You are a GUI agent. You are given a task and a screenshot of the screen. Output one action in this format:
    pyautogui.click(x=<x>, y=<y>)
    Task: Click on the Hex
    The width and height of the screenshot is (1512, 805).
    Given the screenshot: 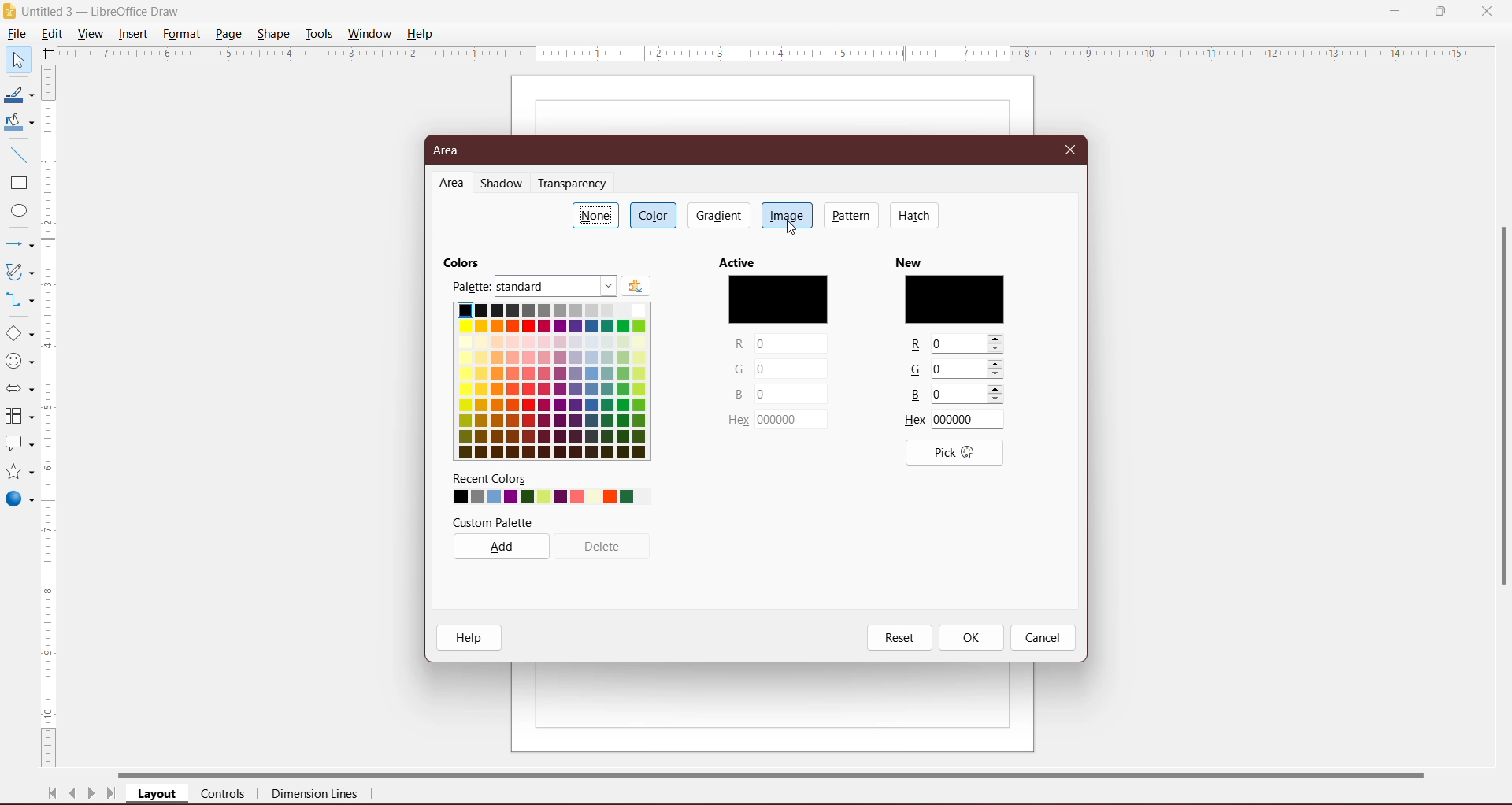 What is the action you would take?
    pyautogui.click(x=914, y=421)
    